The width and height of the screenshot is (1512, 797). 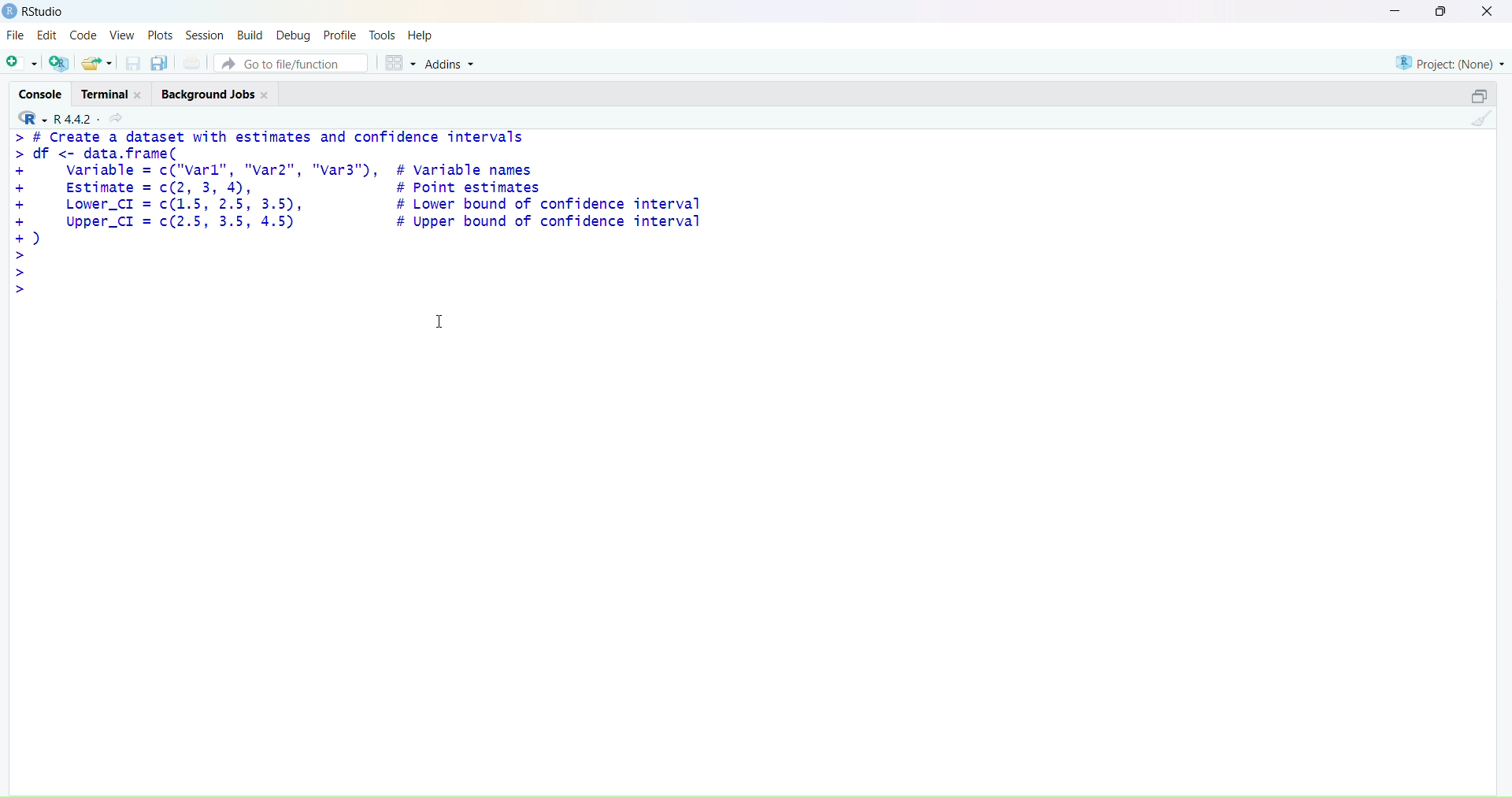 I want to click on workspace panes, so click(x=399, y=64).